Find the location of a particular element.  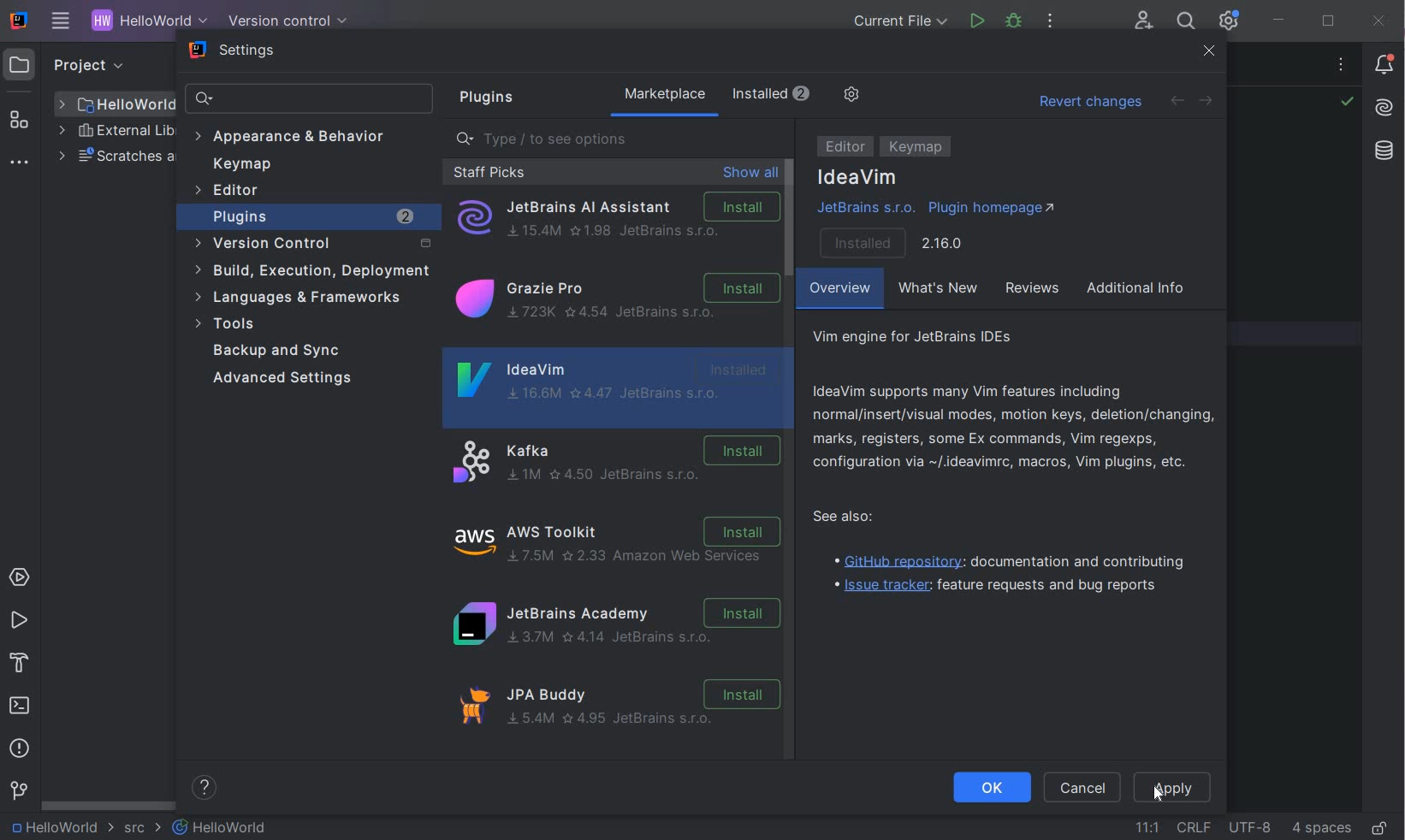

RUN is located at coordinates (977, 21).